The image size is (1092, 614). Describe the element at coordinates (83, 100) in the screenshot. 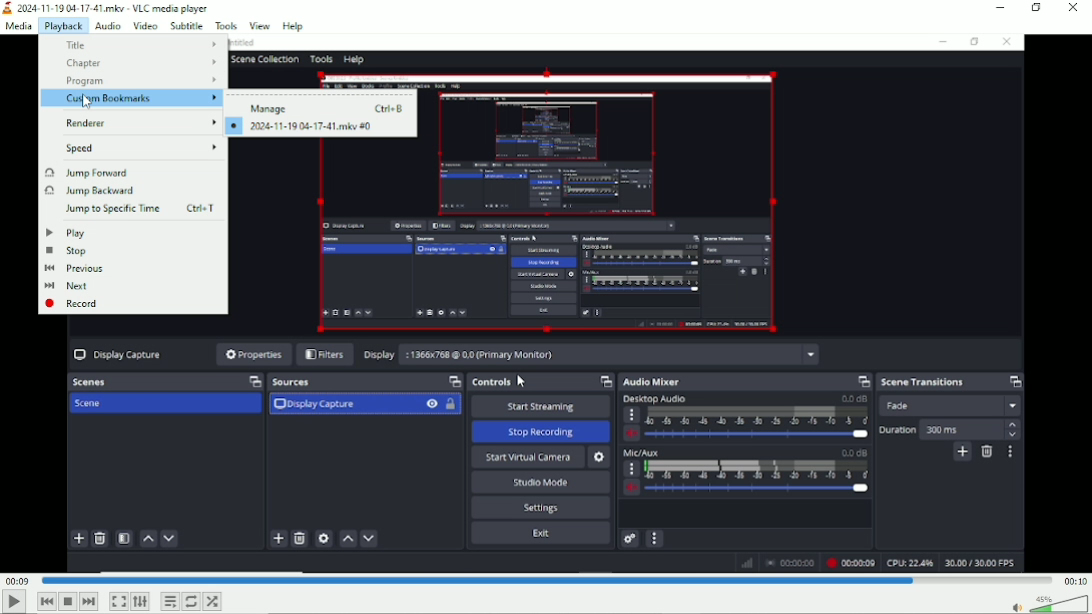

I see `Mouse Cursor` at that location.